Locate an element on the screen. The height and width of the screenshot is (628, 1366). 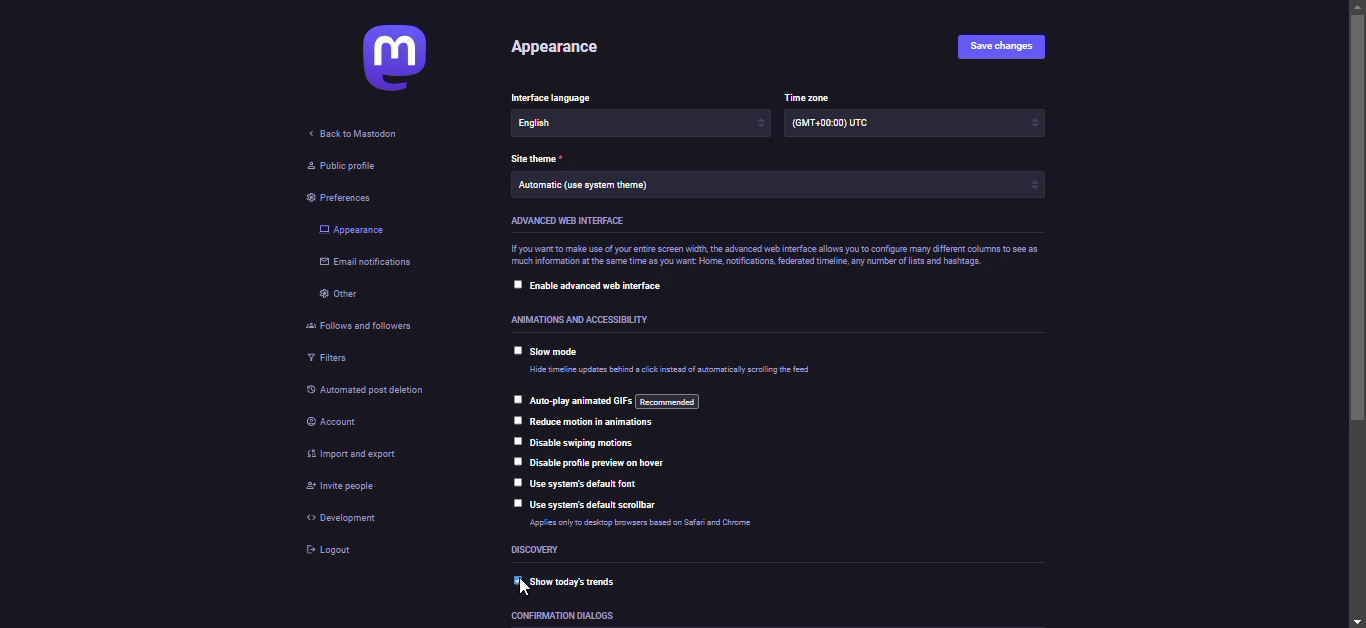
cursor is located at coordinates (526, 591).